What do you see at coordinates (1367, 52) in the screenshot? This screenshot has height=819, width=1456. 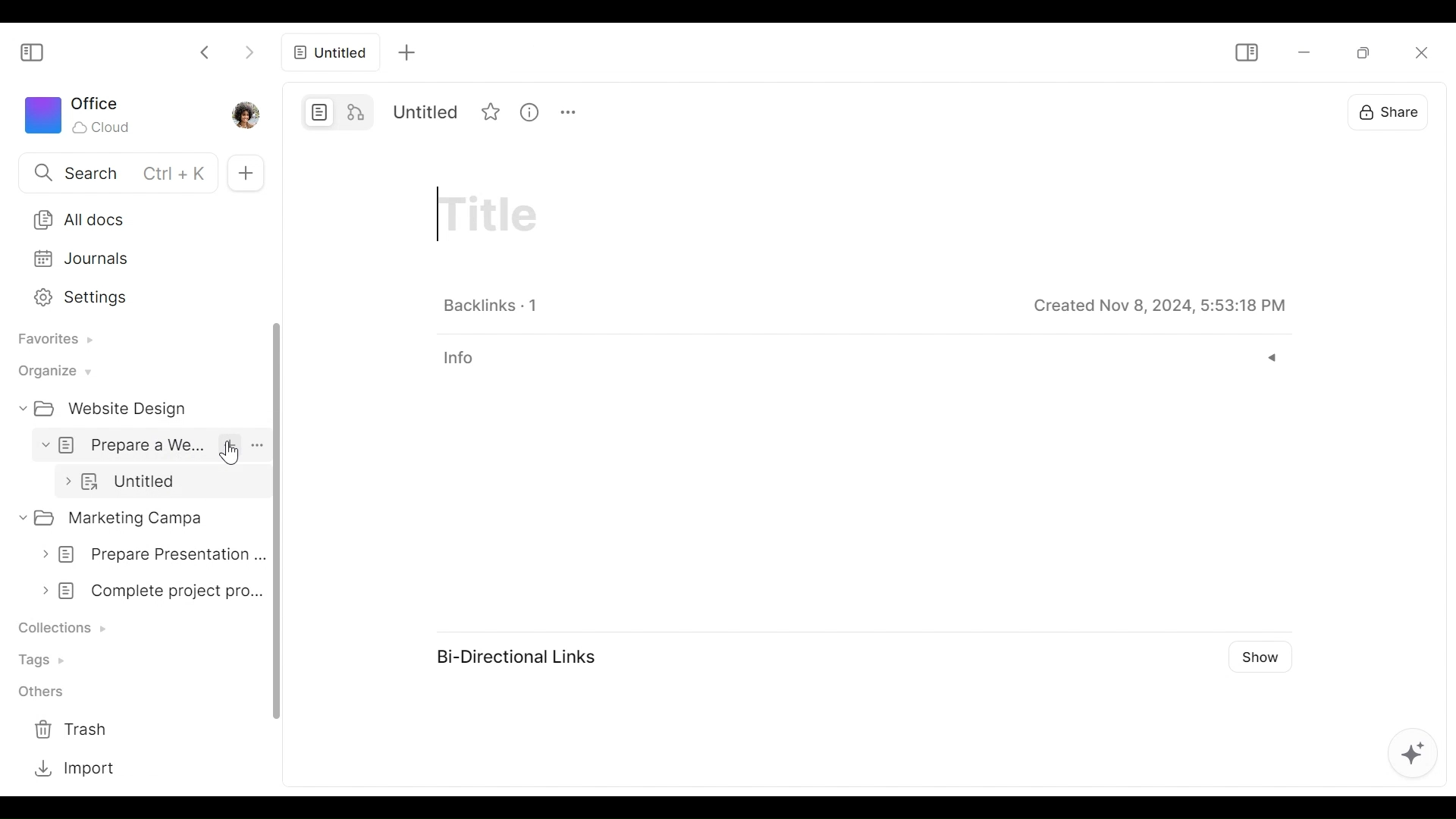 I see `Restore` at bounding box center [1367, 52].